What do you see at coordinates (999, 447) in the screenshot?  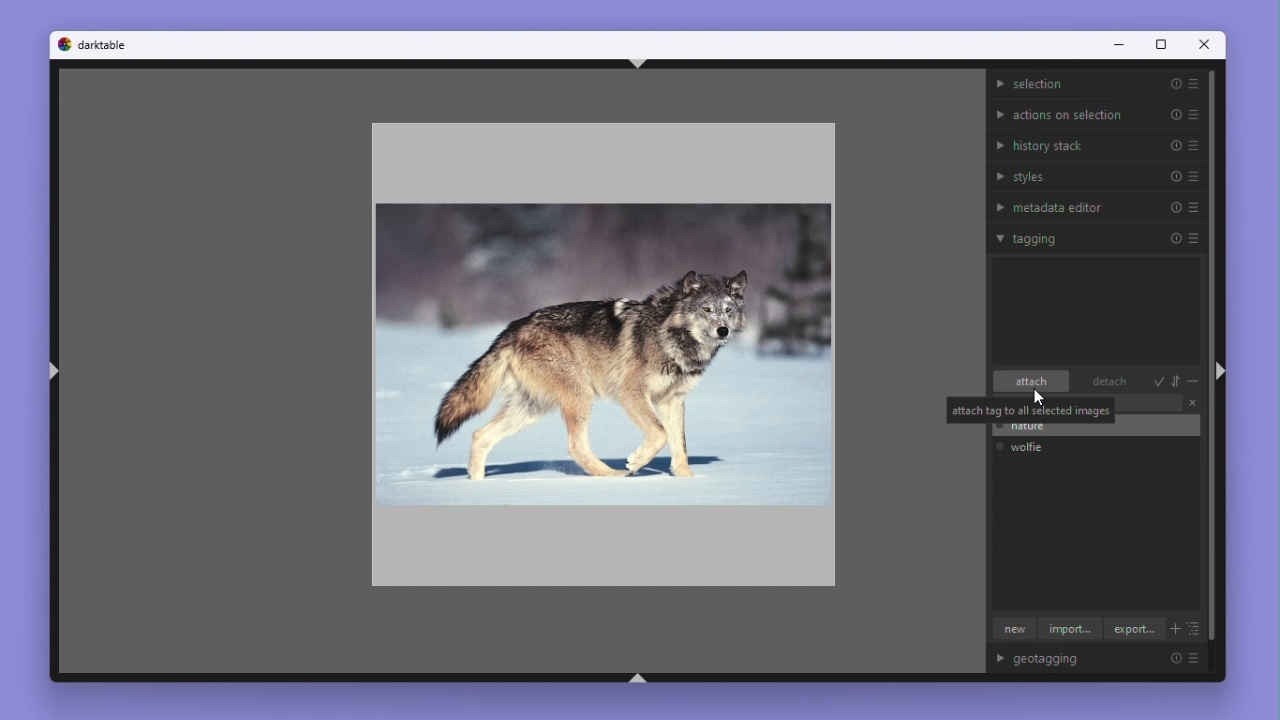 I see `checkbox` at bounding box center [999, 447].